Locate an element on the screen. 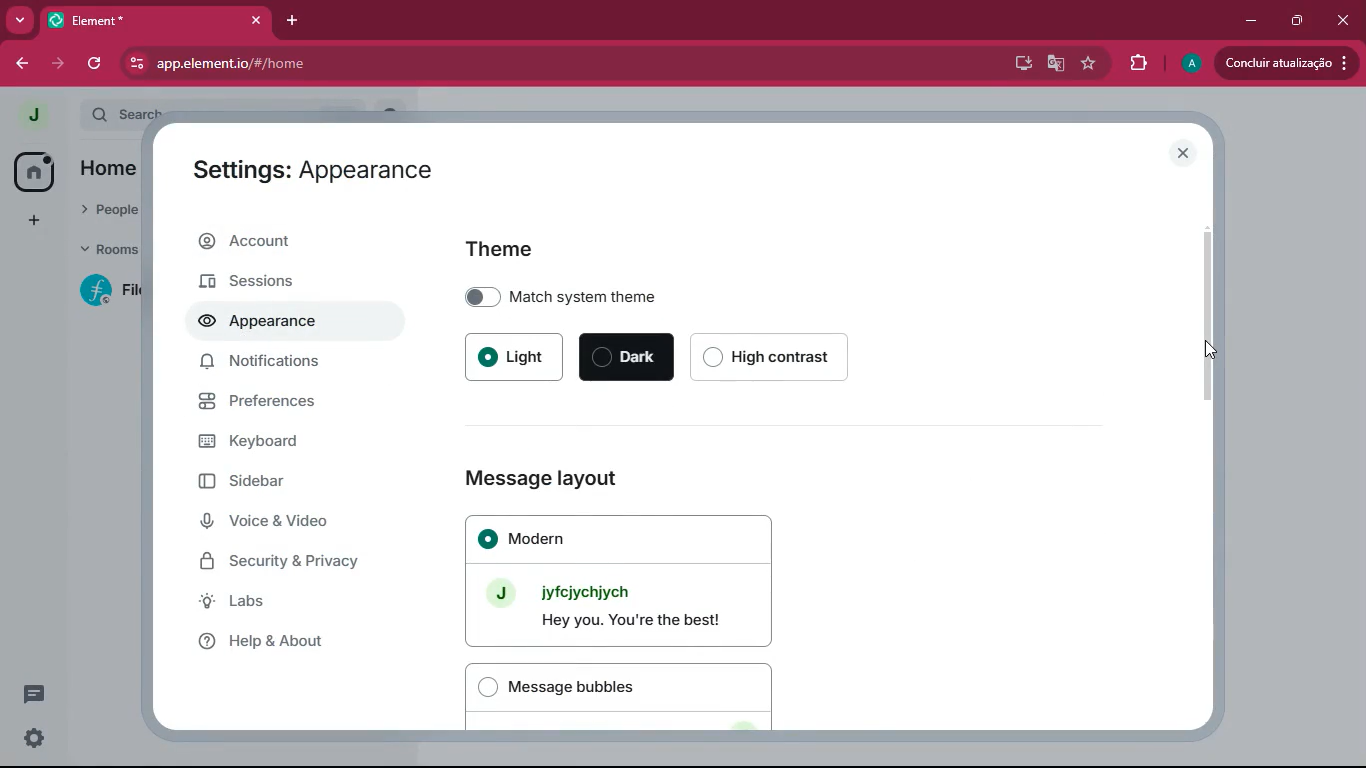 The image size is (1366, 768). profile picture is located at coordinates (31, 114).